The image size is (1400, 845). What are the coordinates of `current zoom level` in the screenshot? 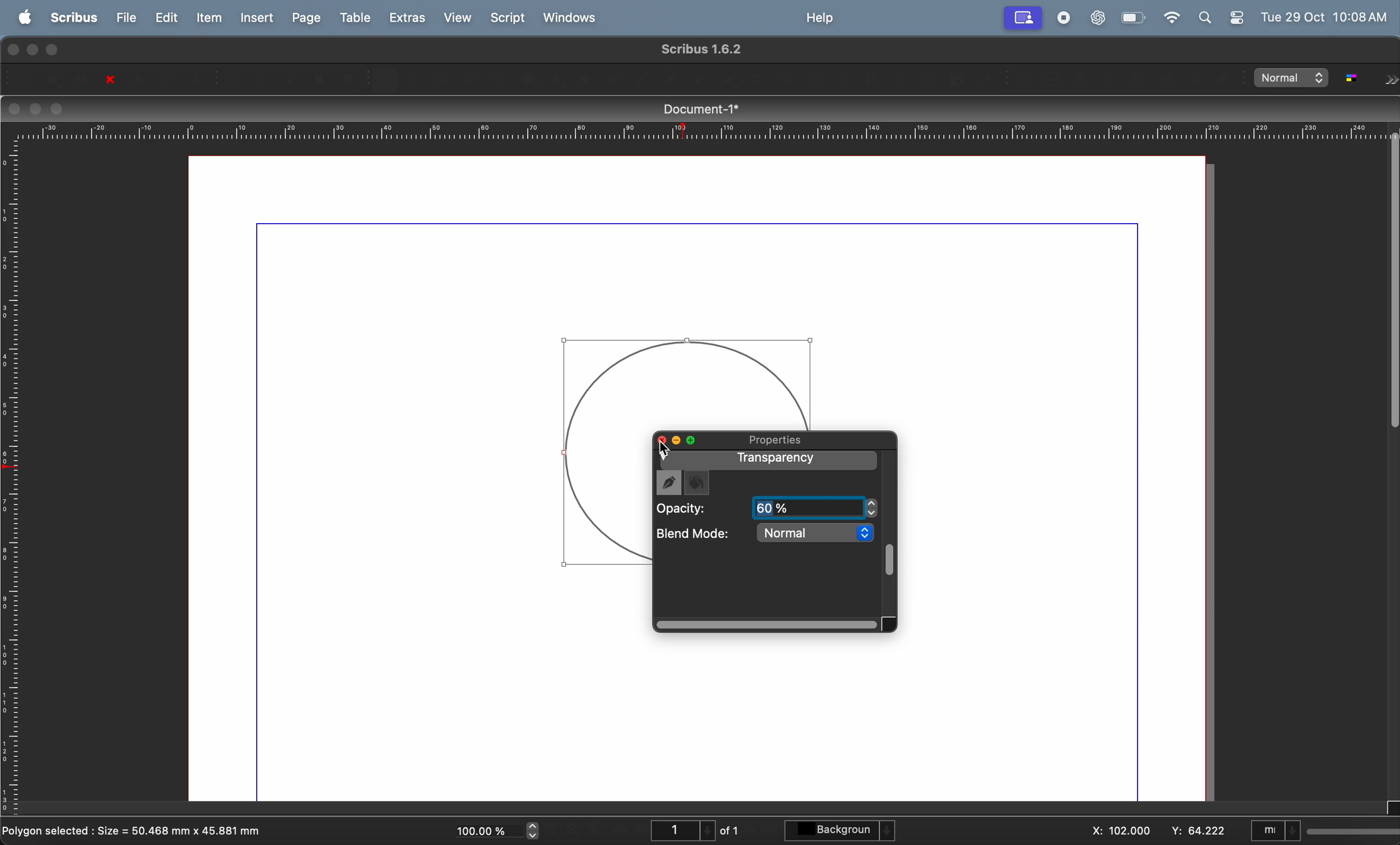 It's located at (502, 830).